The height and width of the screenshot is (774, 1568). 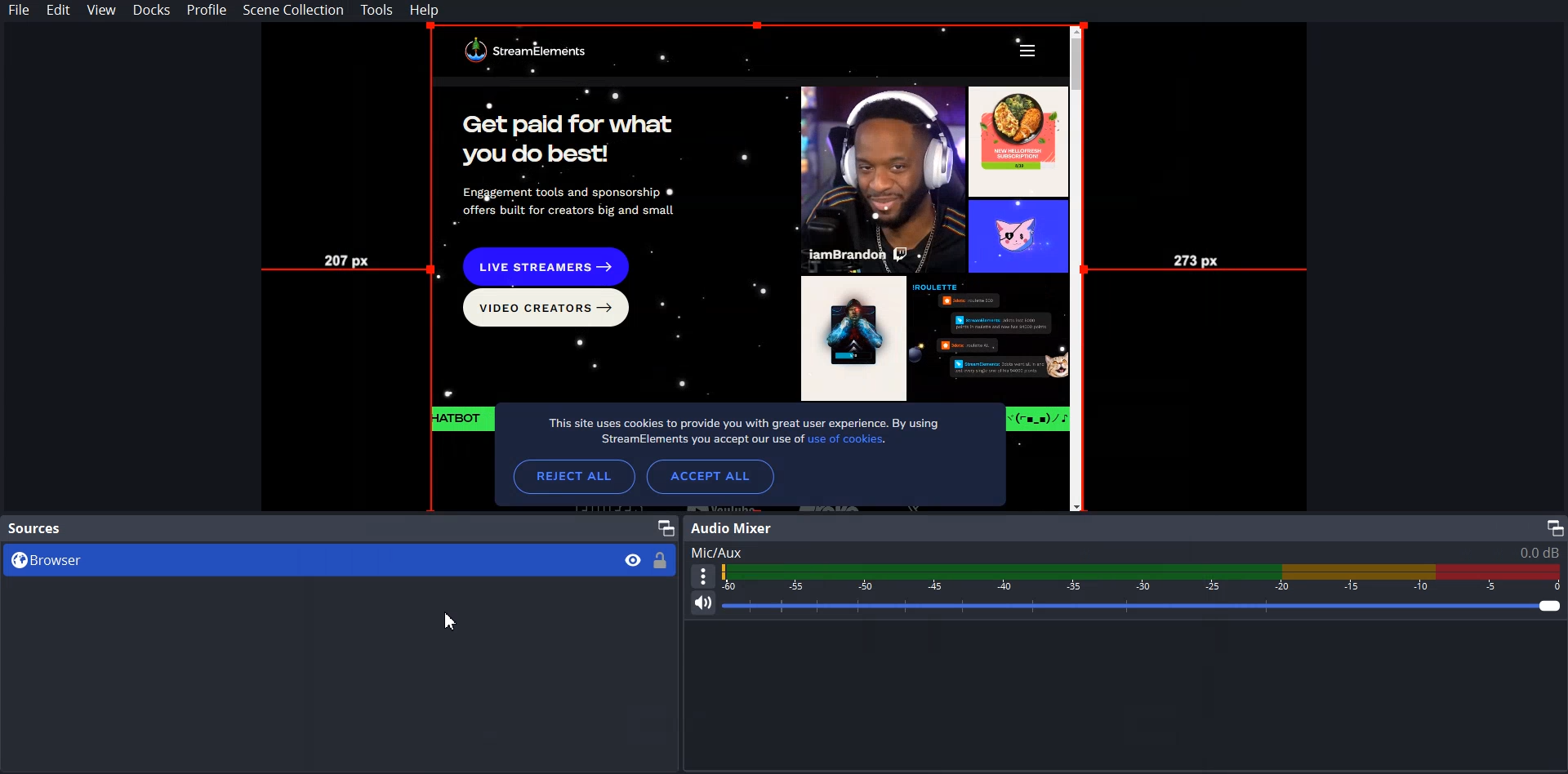 What do you see at coordinates (788, 268) in the screenshot?
I see `File Preview mode` at bounding box center [788, 268].